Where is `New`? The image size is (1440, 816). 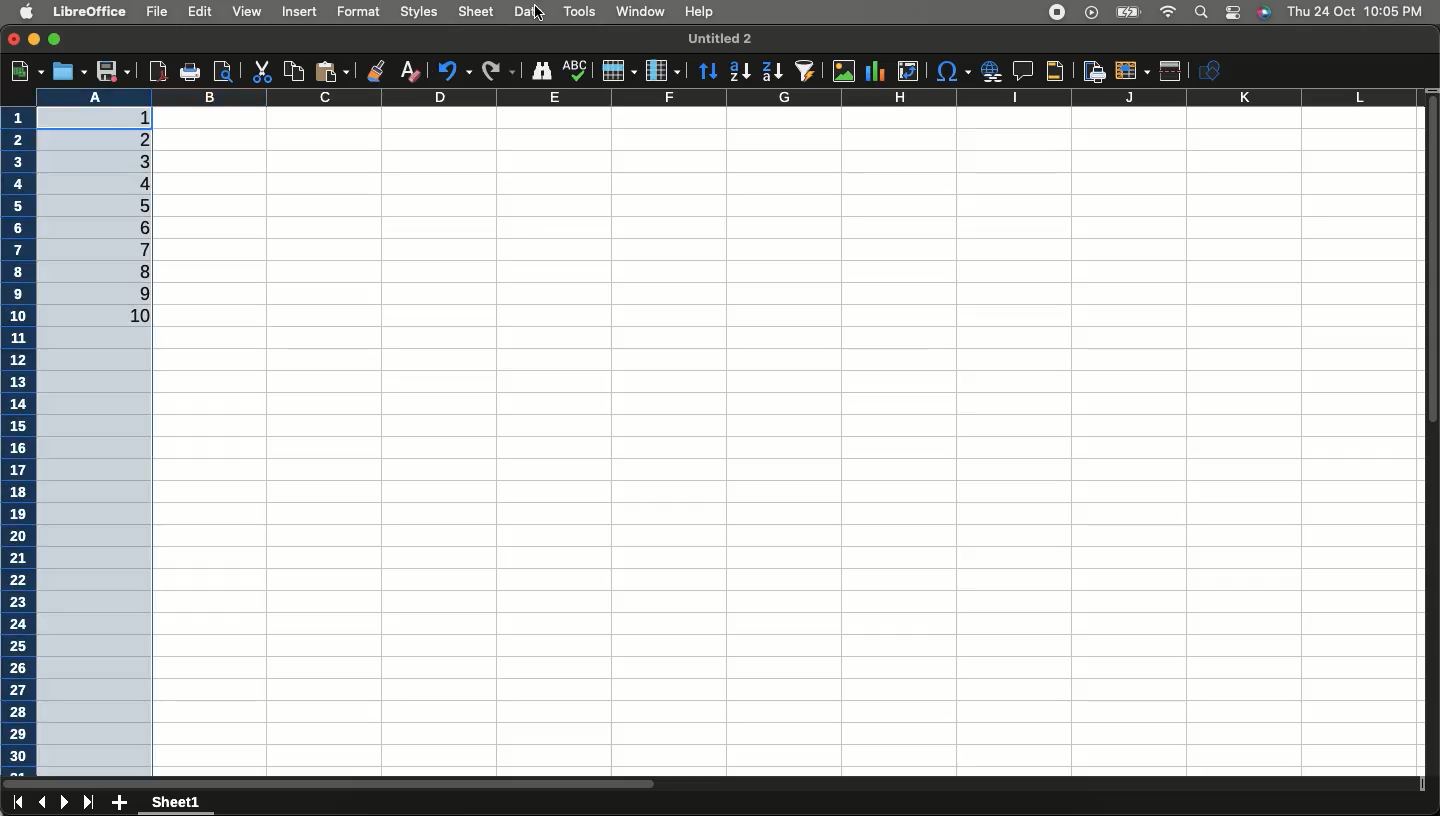
New is located at coordinates (25, 69).